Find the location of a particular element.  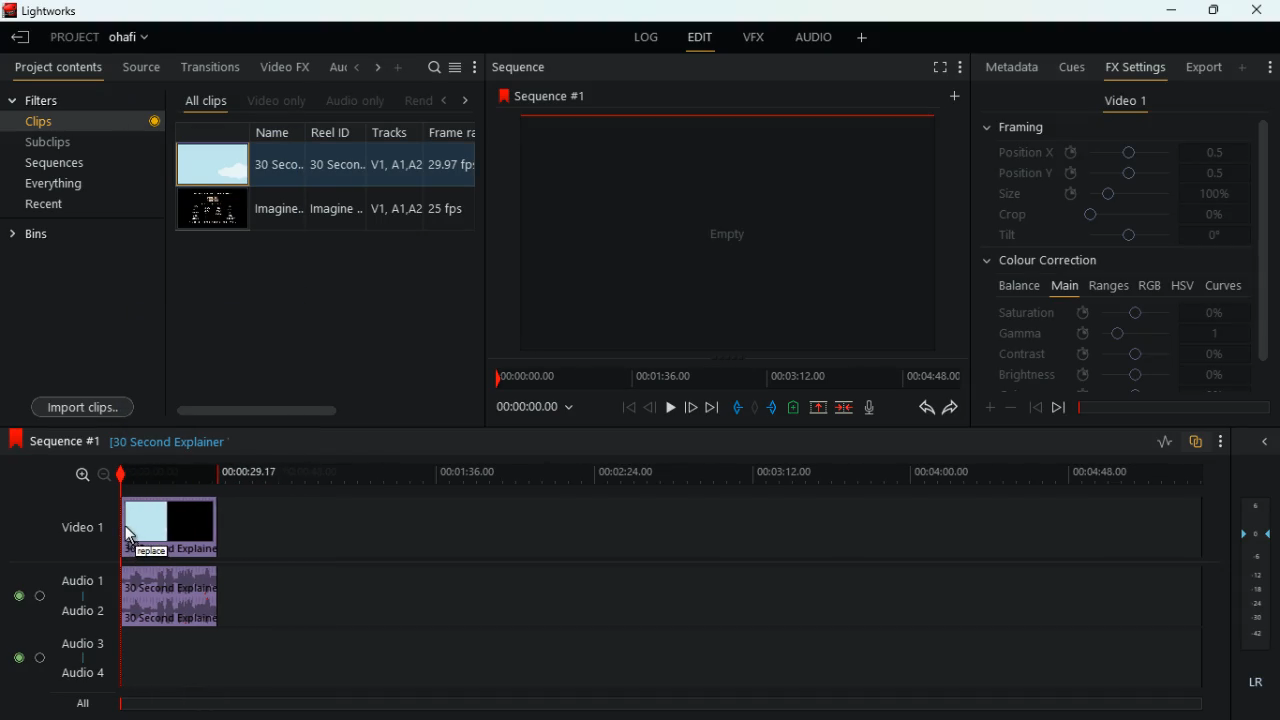

add is located at coordinates (1245, 67).